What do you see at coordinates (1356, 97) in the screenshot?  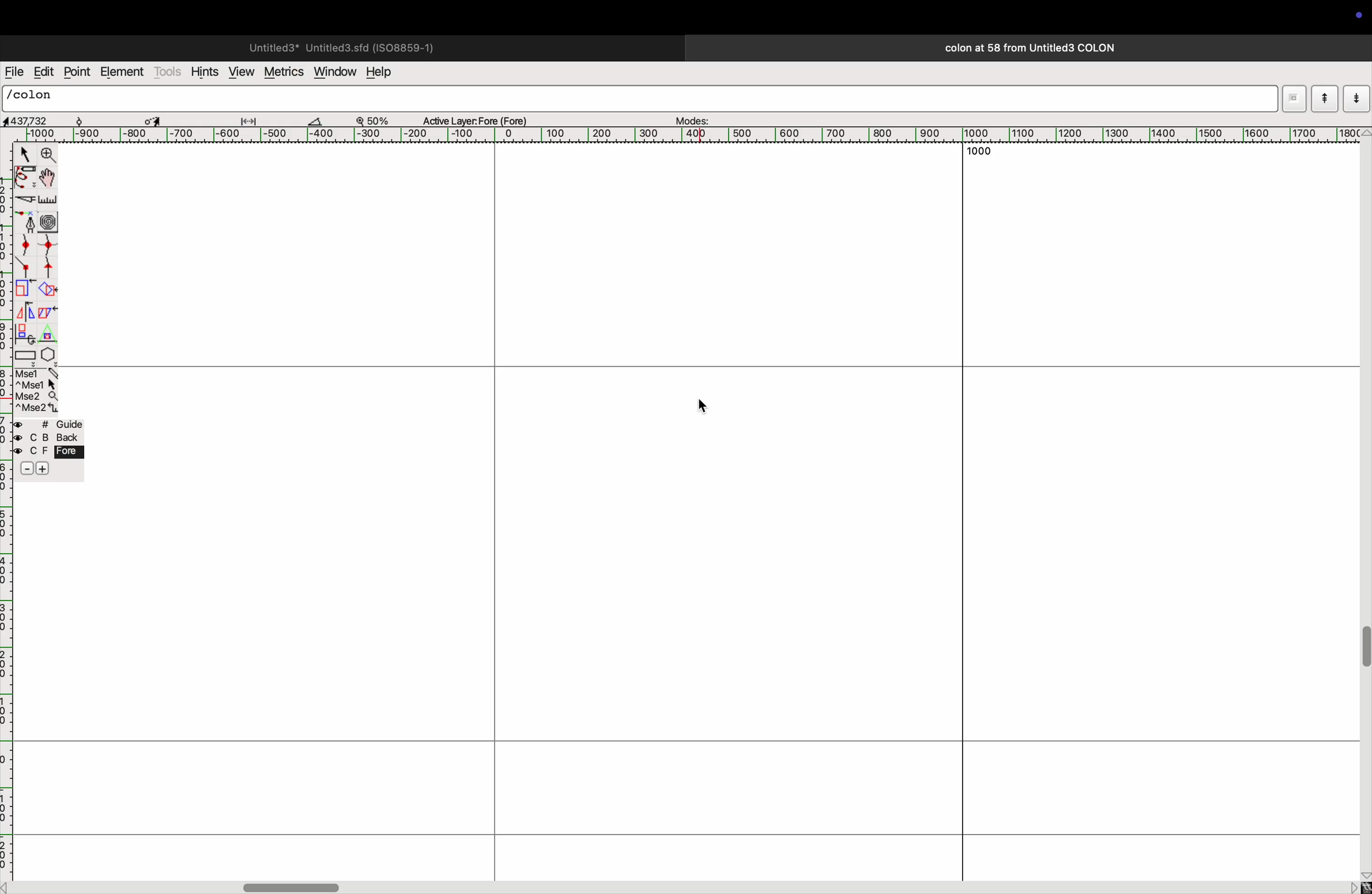 I see `mode down` at bounding box center [1356, 97].